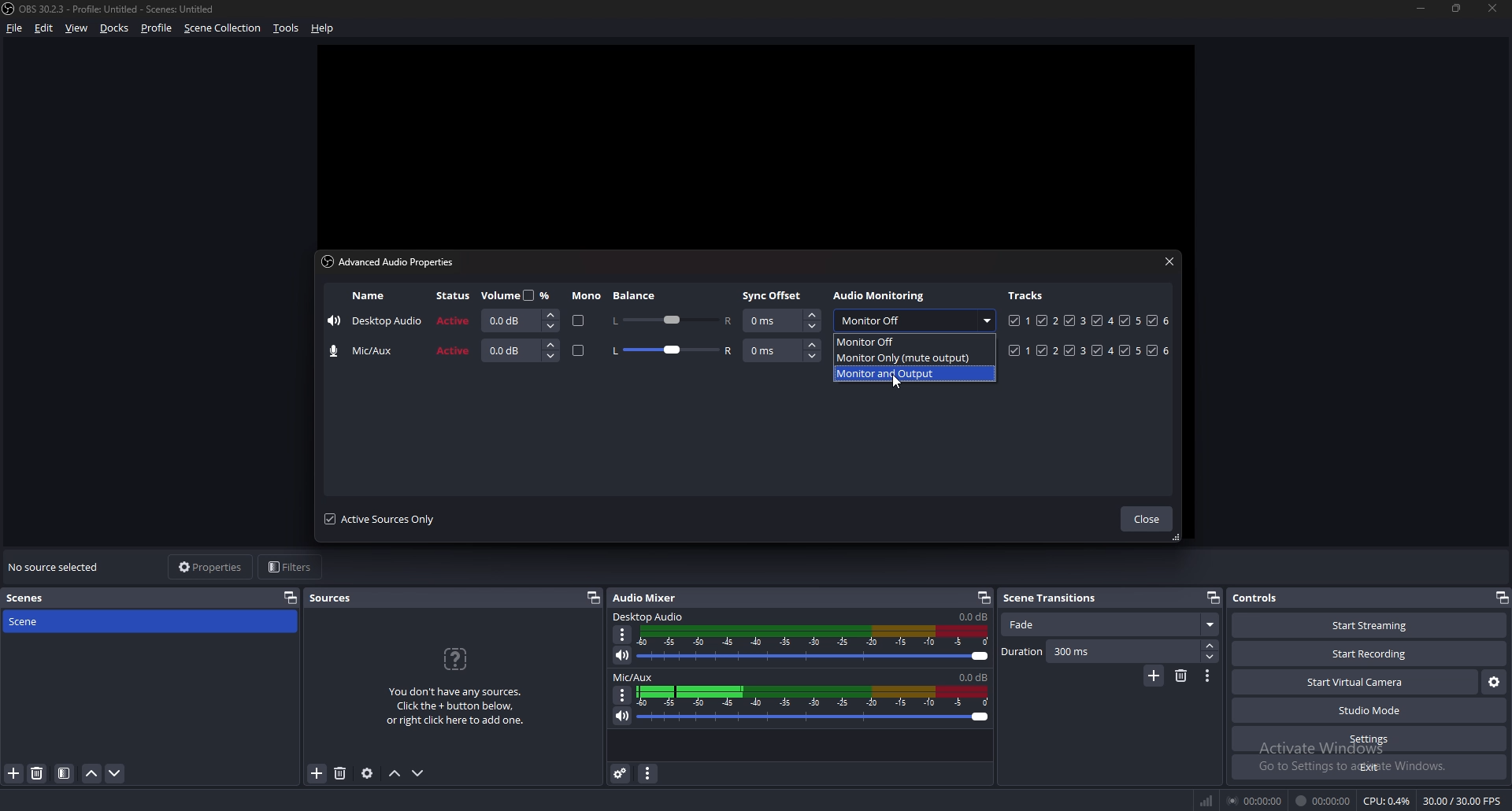  Describe the element at coordinates (1210, 645) in the screenshot. I see `increase duration` at that location.